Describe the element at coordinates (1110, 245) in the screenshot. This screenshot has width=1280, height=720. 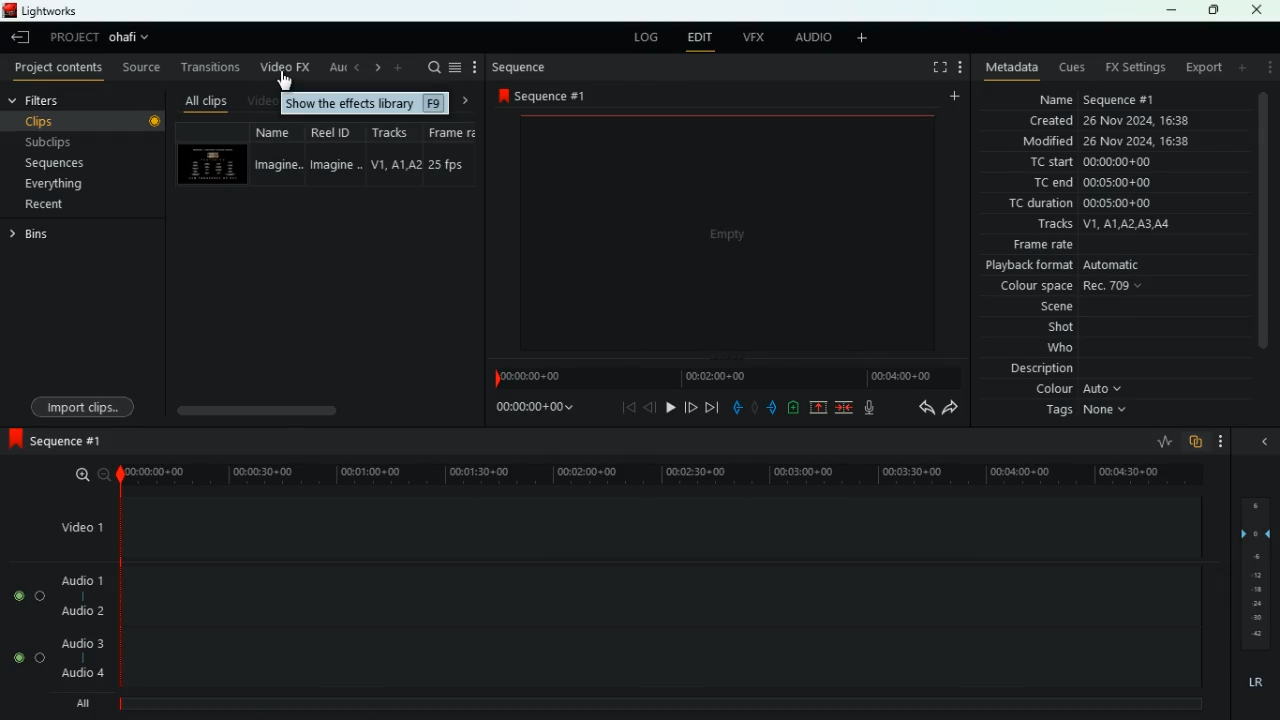
I see `frame rate` at that location.